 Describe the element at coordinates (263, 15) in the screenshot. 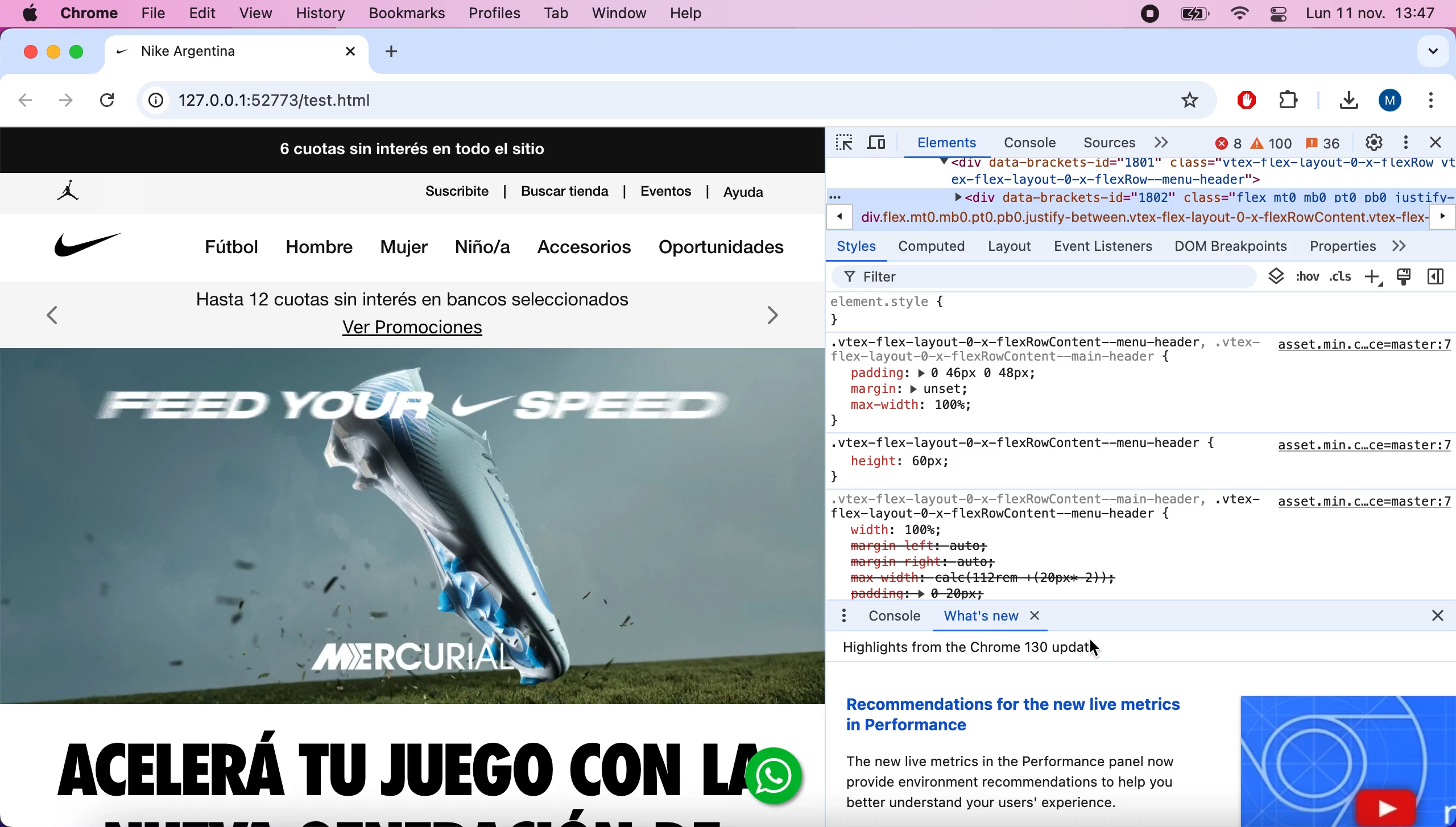

I see `view` at that location.